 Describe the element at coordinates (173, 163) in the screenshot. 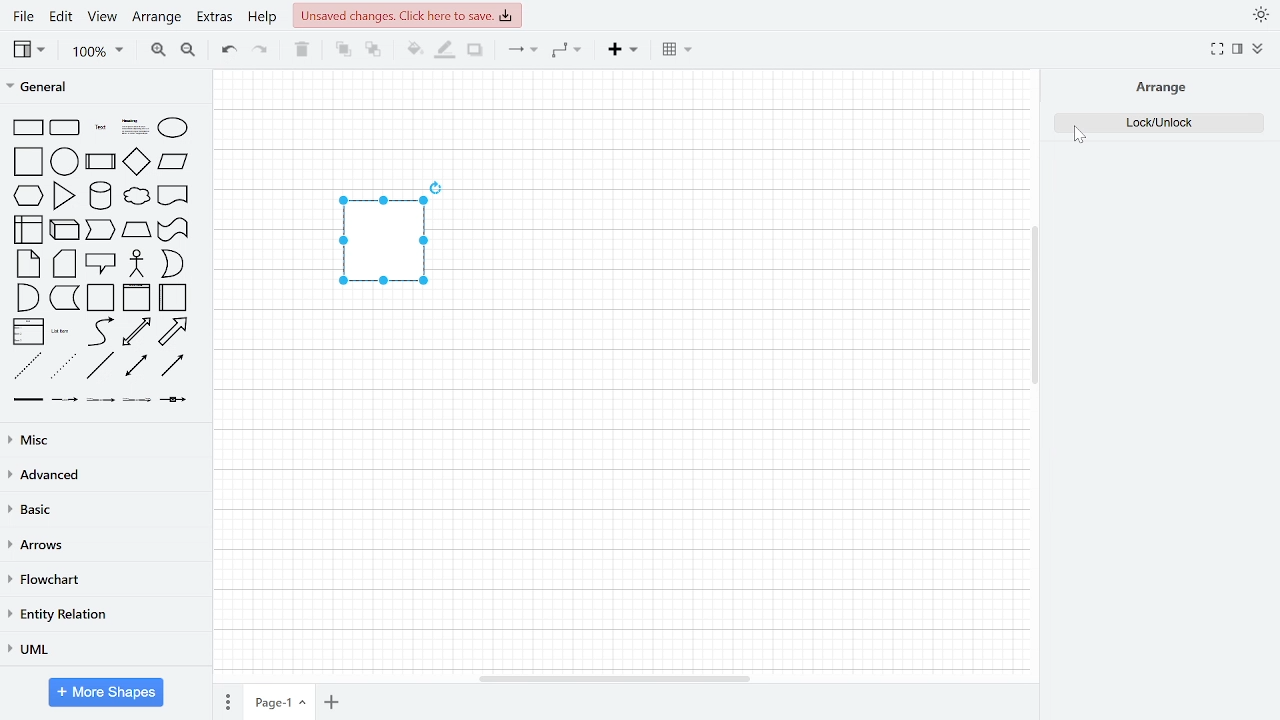

I see `parallelogram` at that location.